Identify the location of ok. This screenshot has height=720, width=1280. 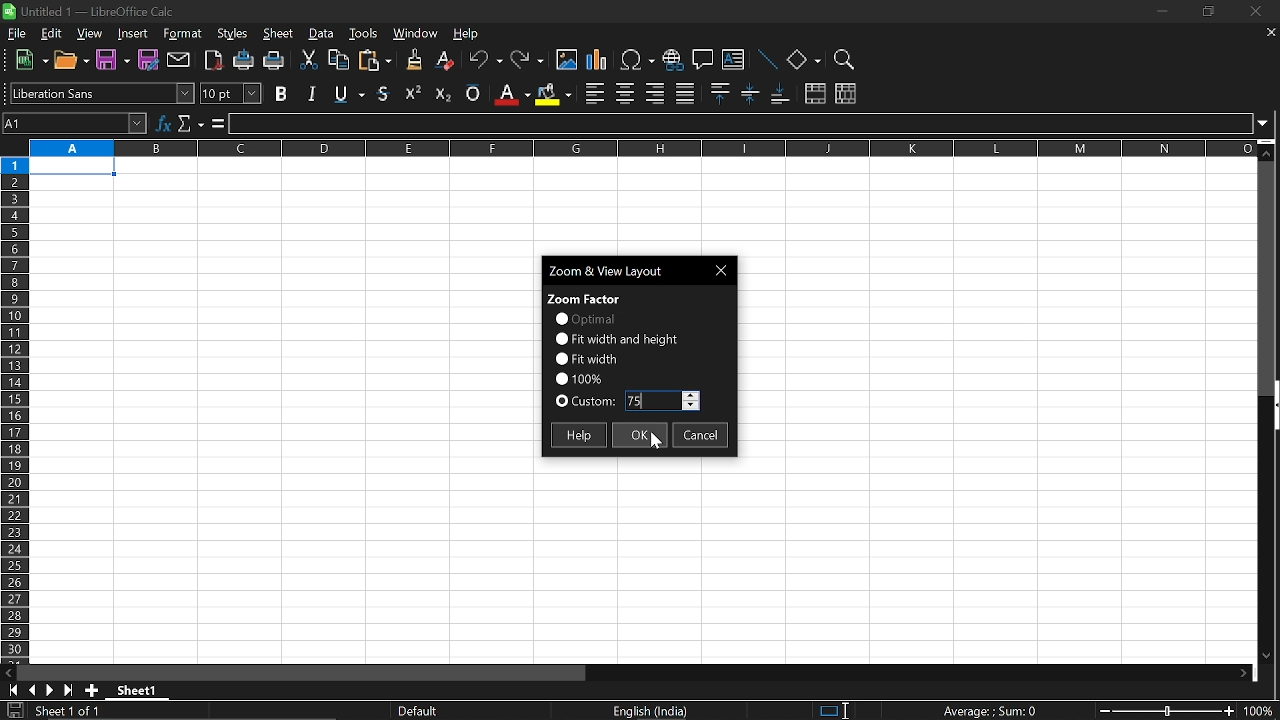
(638, 435).